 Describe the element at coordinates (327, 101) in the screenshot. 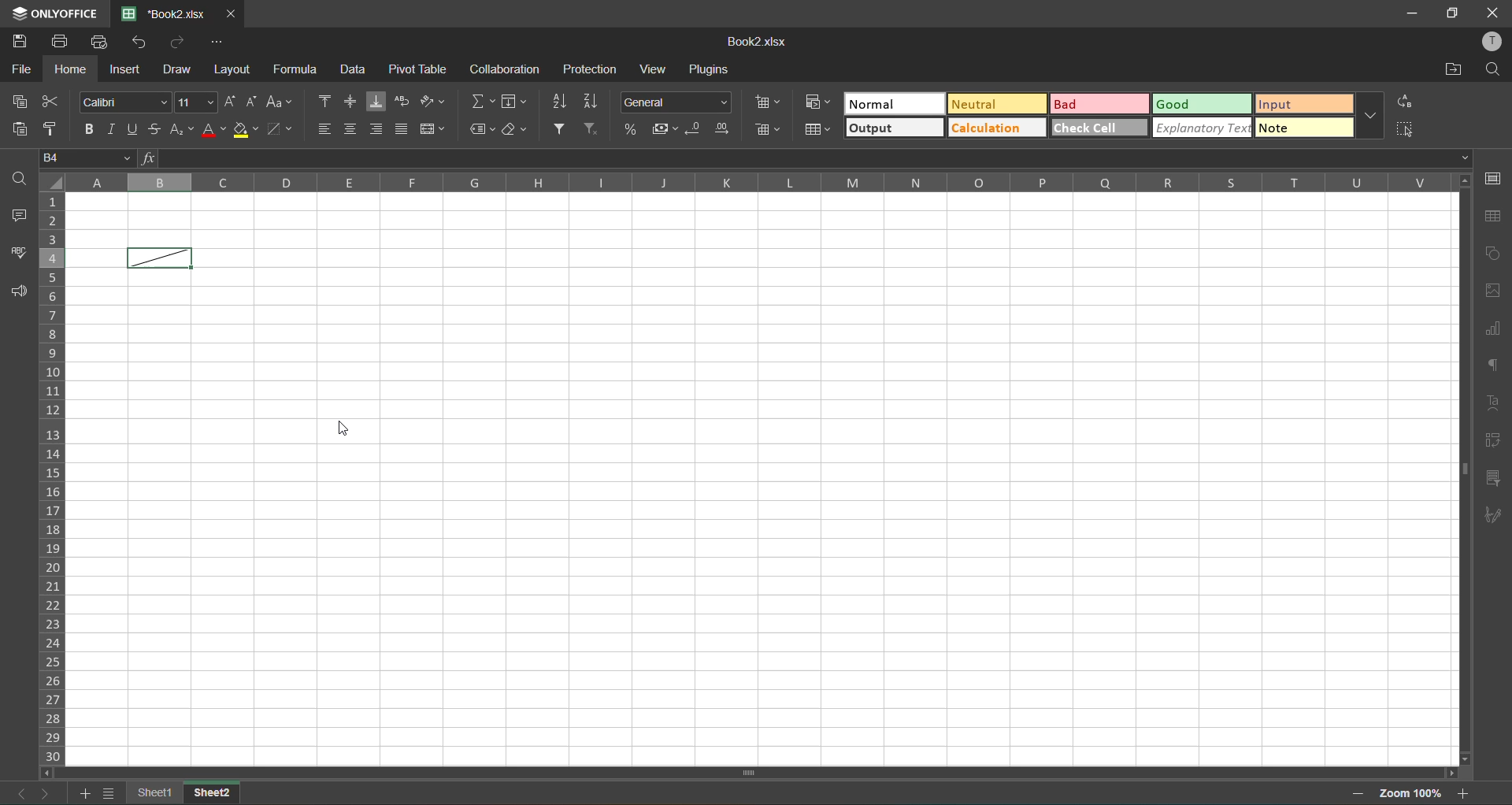

I see `align top` at that location.